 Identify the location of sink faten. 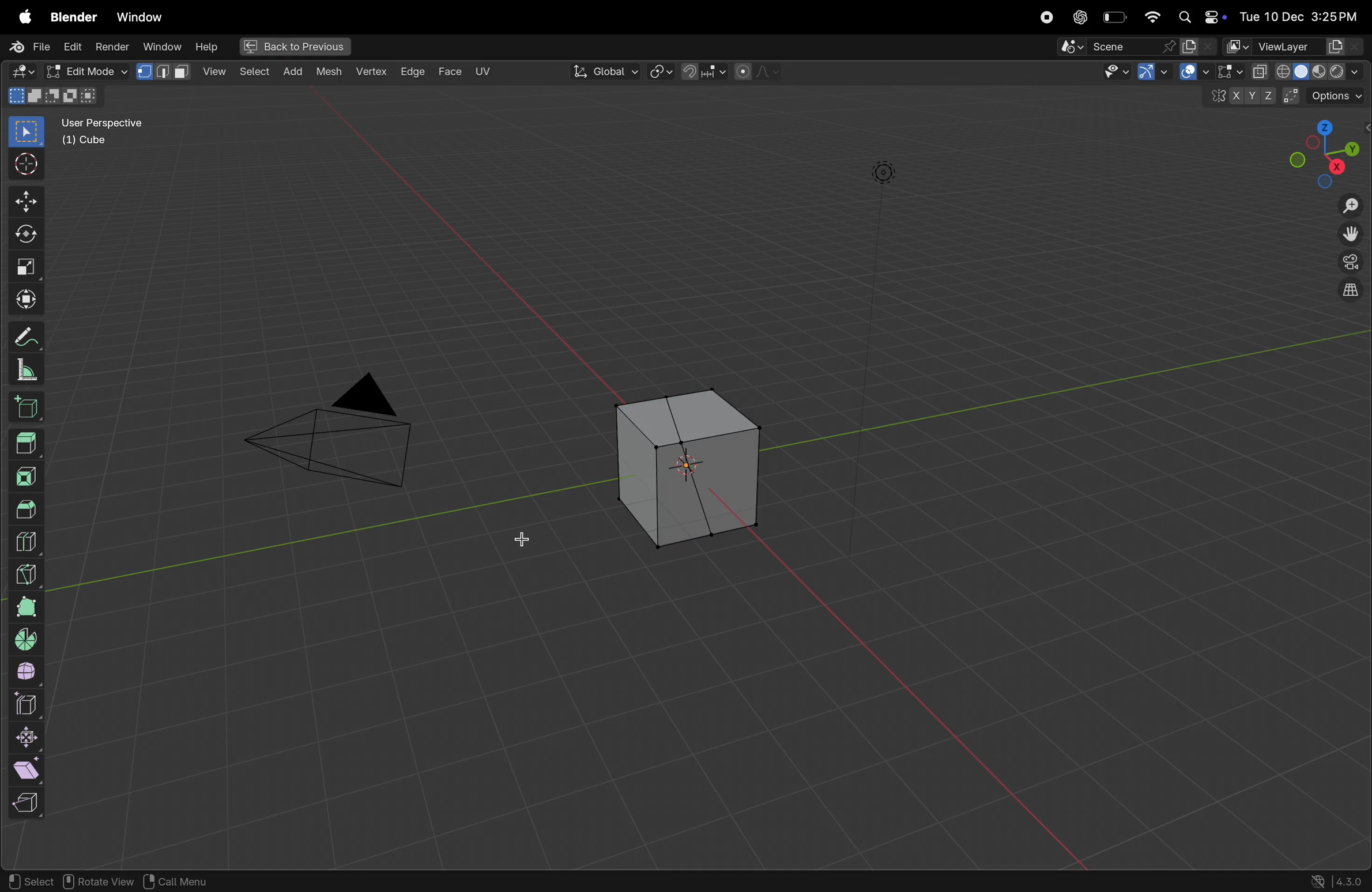
(29, 738).